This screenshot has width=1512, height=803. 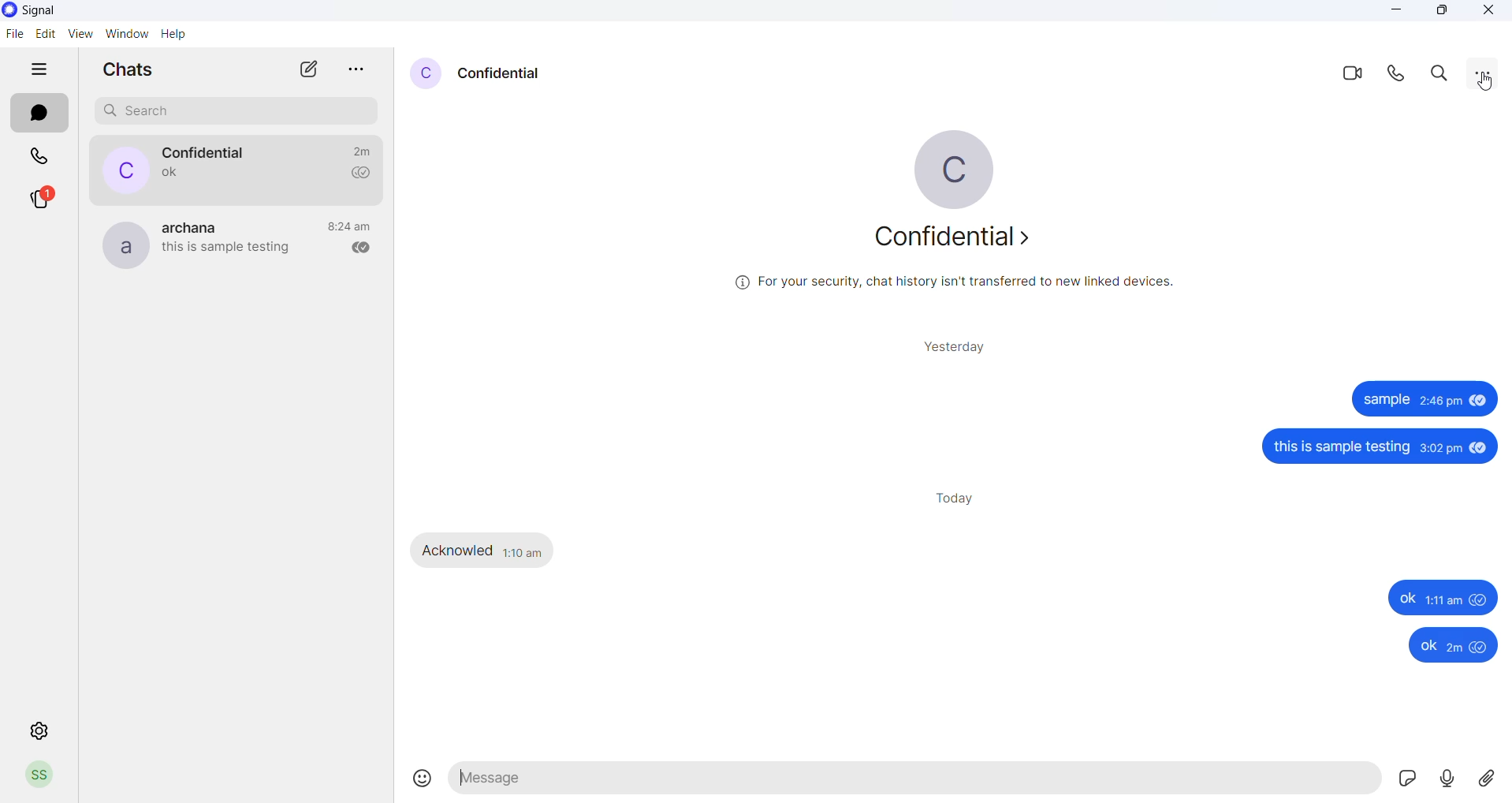 I want to click on chats, so click(x=42, y=114).